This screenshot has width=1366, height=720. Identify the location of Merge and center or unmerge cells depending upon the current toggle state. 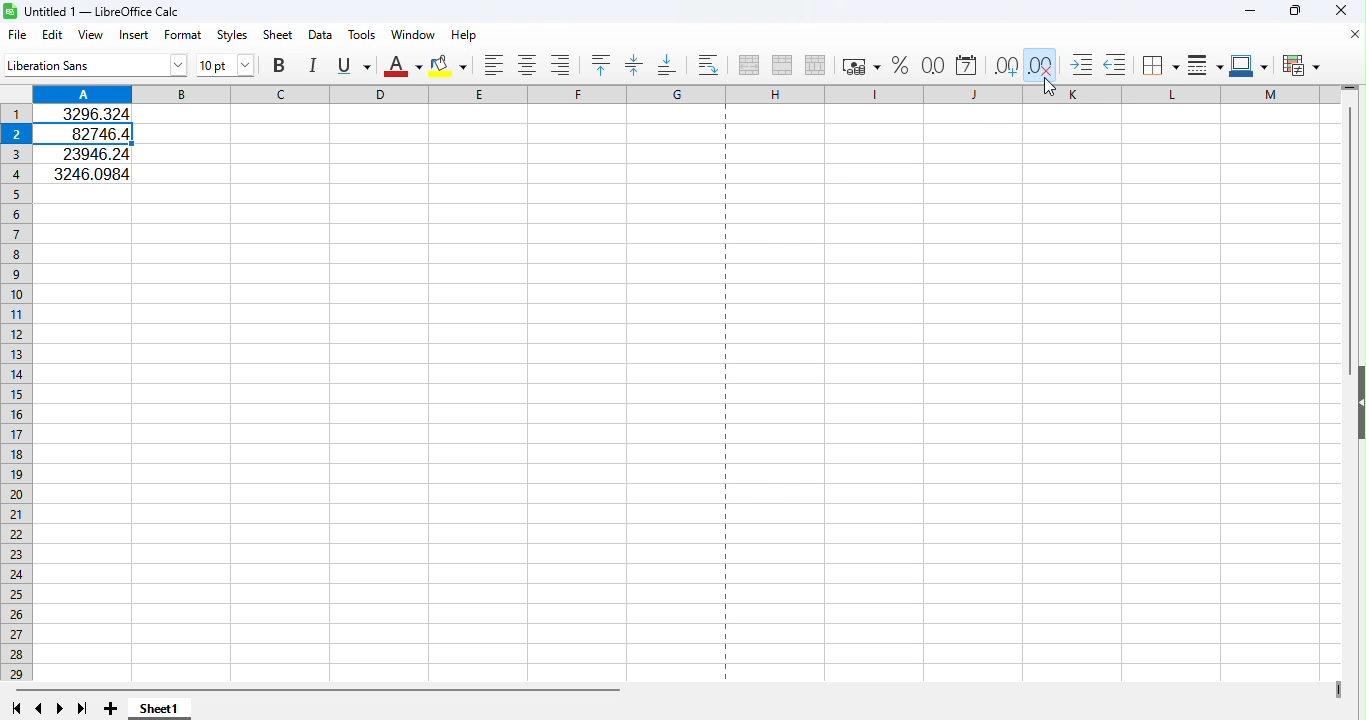
(746, 63).